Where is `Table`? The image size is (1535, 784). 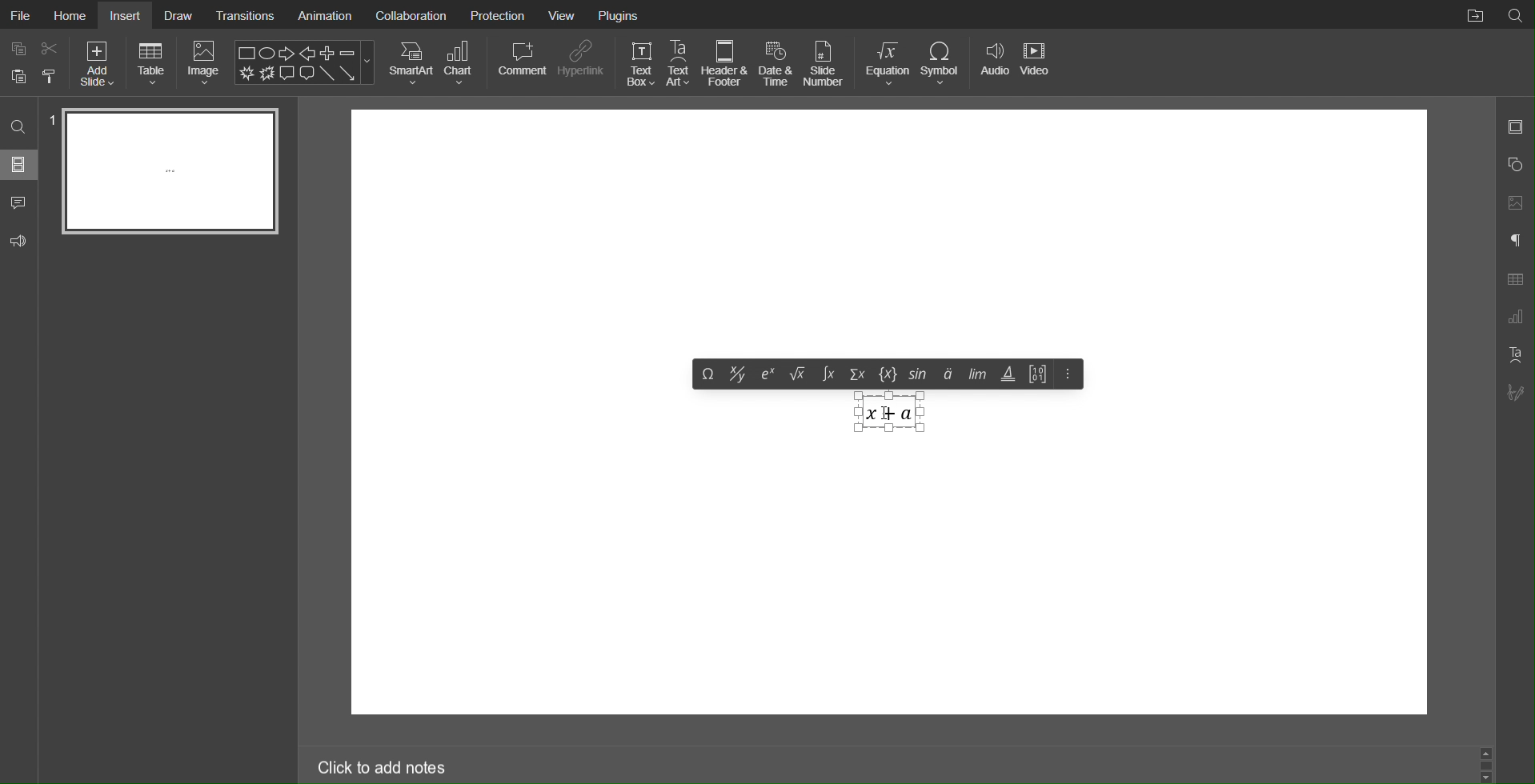
Table is located at coordinates (152, 64).